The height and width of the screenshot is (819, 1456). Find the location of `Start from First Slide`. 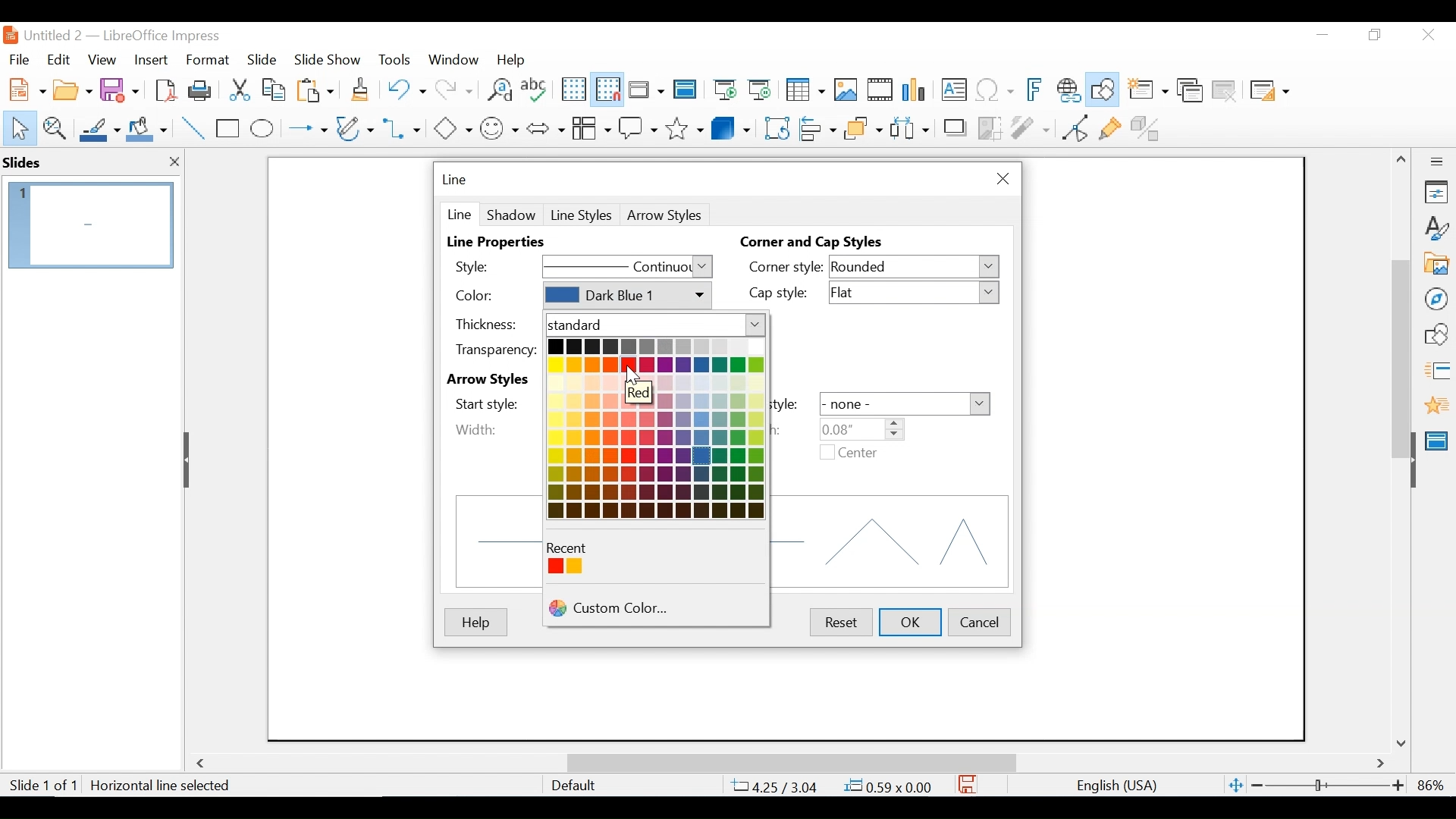

Start from First Slide is located at coordinates (723, 91).